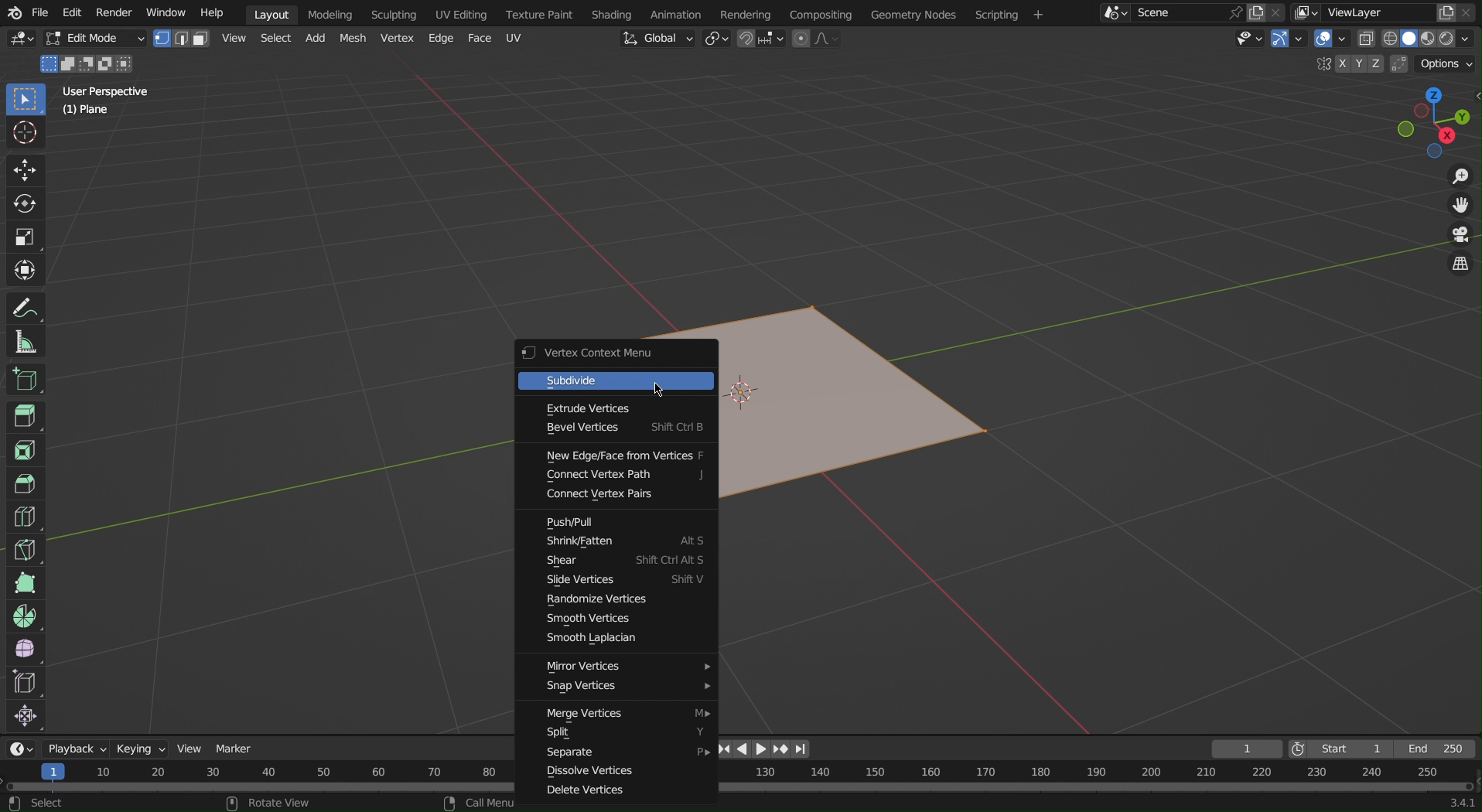  I want to click on Vertex Context Menu, so click(616, 355).